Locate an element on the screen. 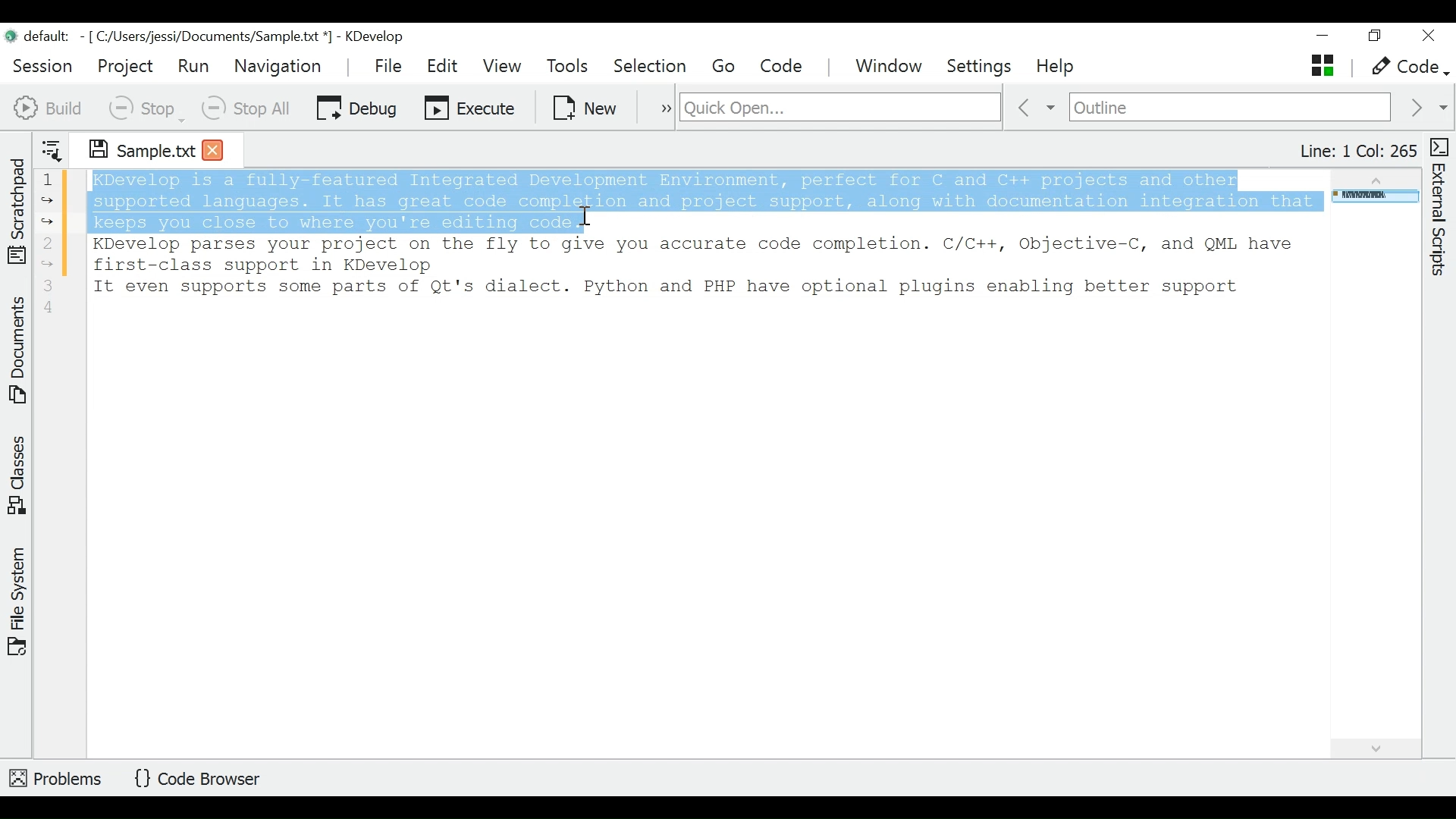 The image size is (1456, 819). Stop All is located at coordinates (248, 108).